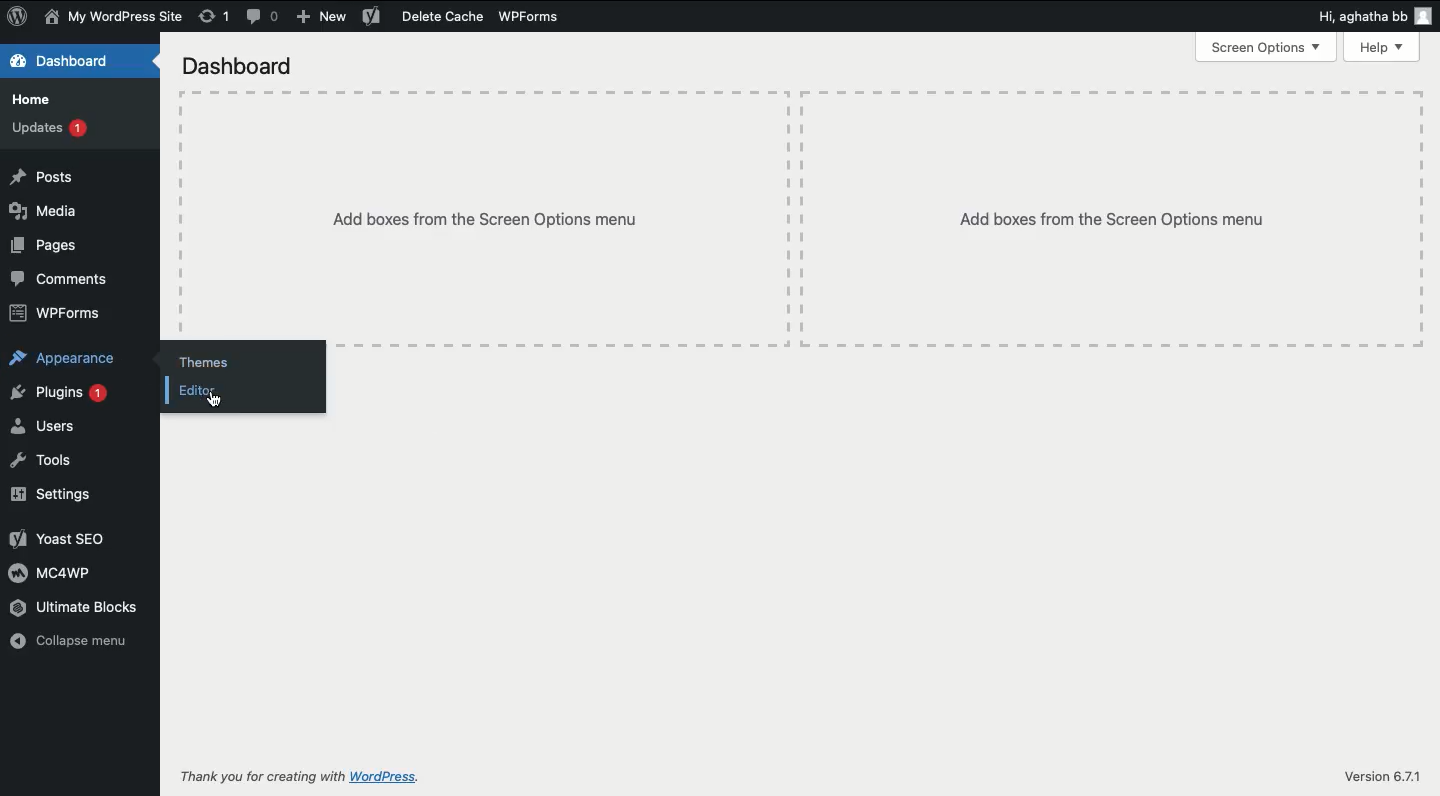 The height and width of the screenshot is (796, 1440). I want to click on collapse menu, so click(62, 643).